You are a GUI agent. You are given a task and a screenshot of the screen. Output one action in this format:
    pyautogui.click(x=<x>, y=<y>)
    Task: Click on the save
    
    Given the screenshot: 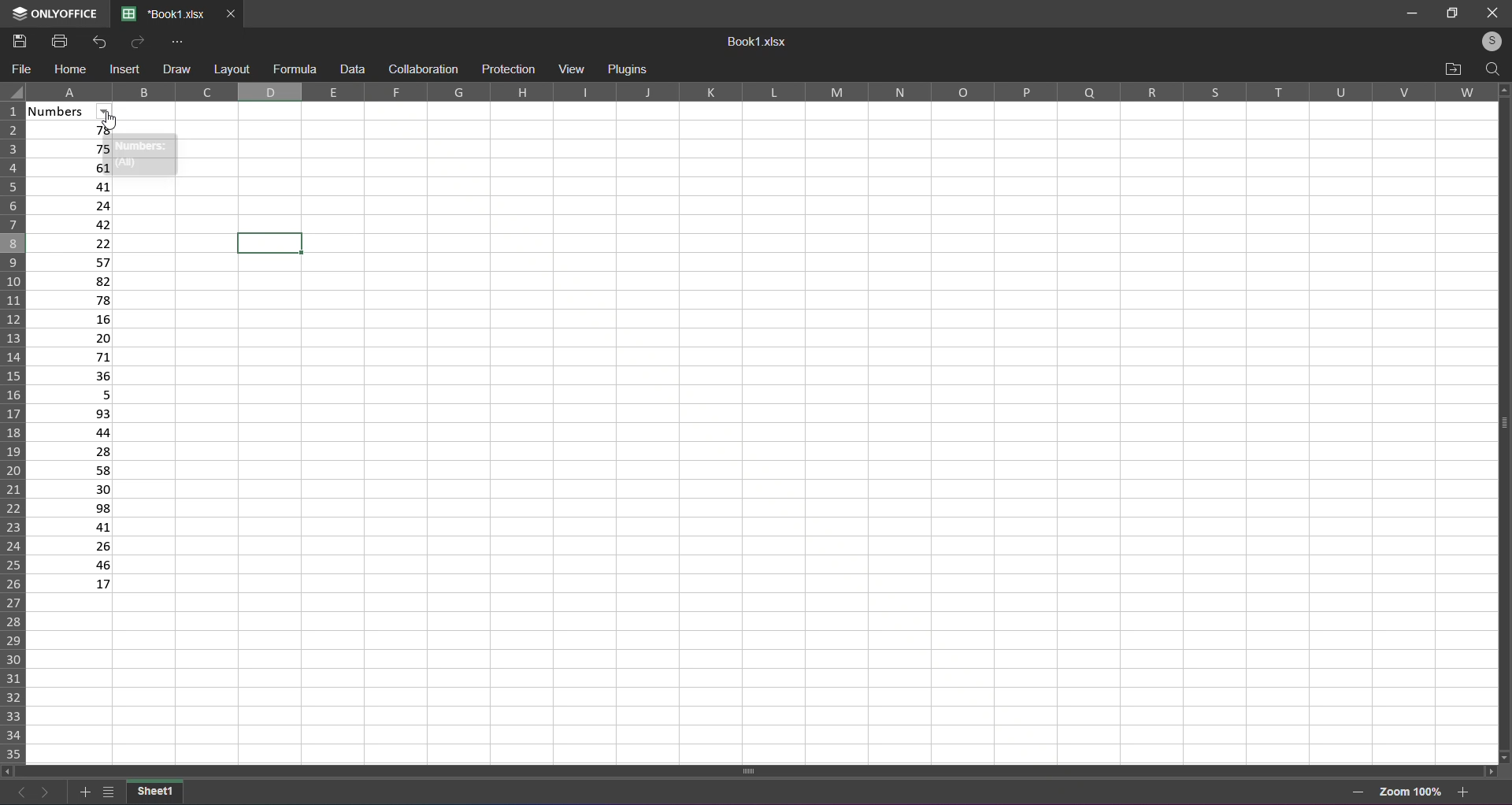 What is the action you would take?
    pyautogui.click(x=19, y=40)
    